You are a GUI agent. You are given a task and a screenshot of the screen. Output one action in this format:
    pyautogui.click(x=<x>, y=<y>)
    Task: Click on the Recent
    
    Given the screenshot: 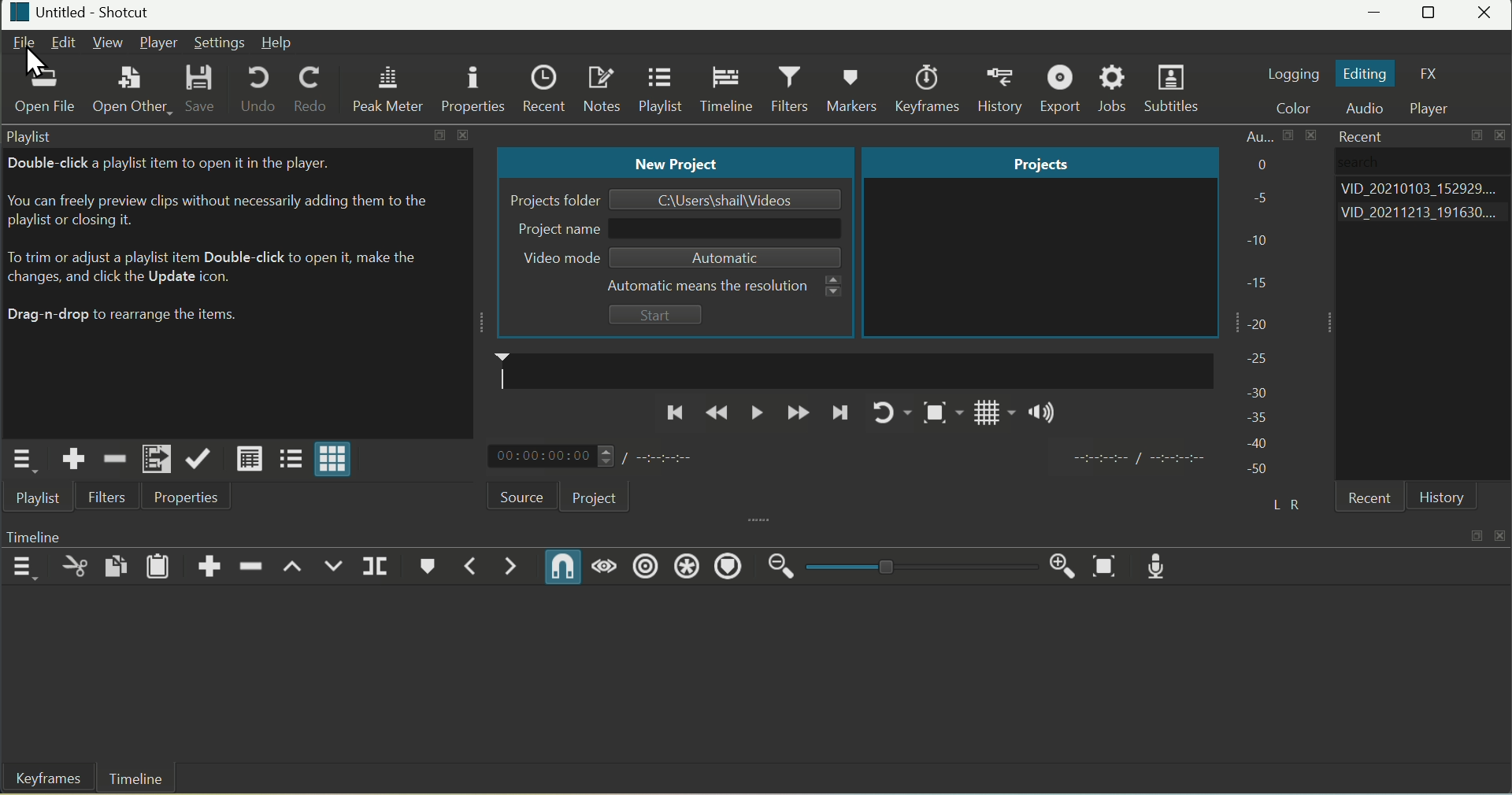 What is the action you would take?
    pyautogui.click(x=543, y=86)
    